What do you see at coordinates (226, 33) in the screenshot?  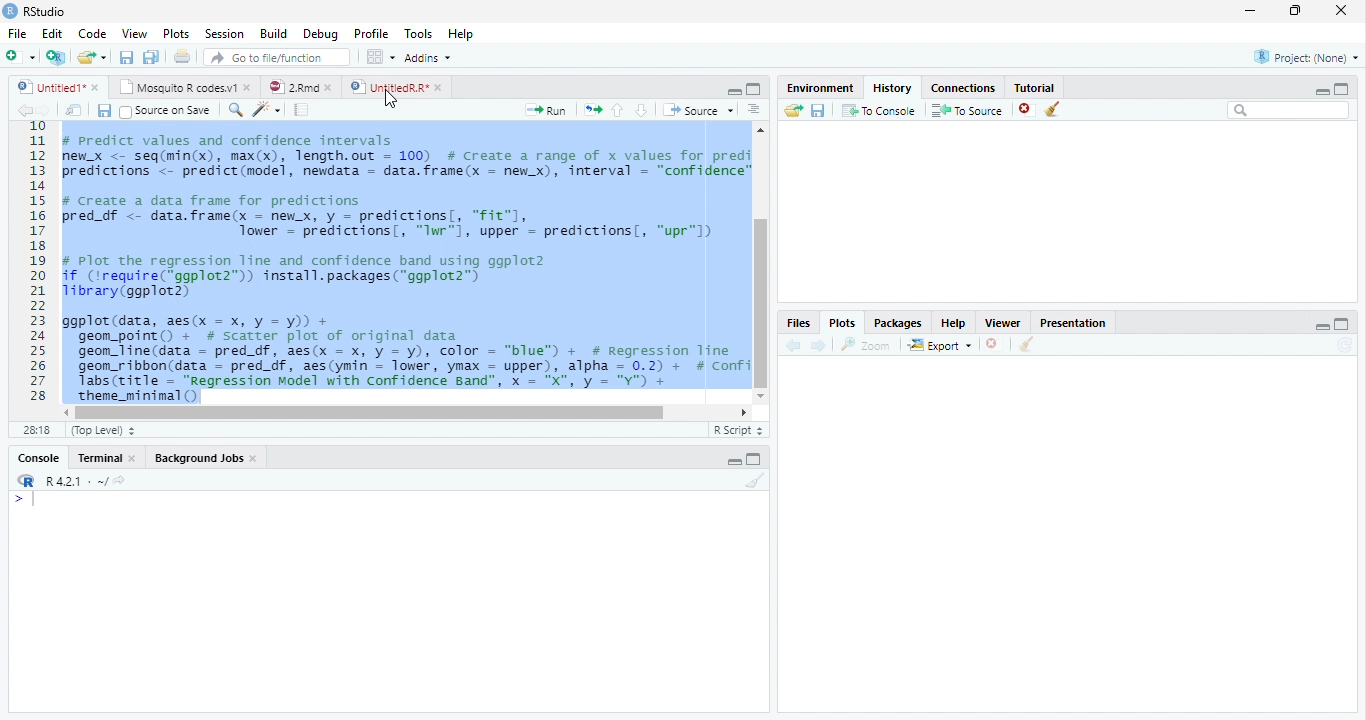 I see `Session` at bounding box center [226, 33].